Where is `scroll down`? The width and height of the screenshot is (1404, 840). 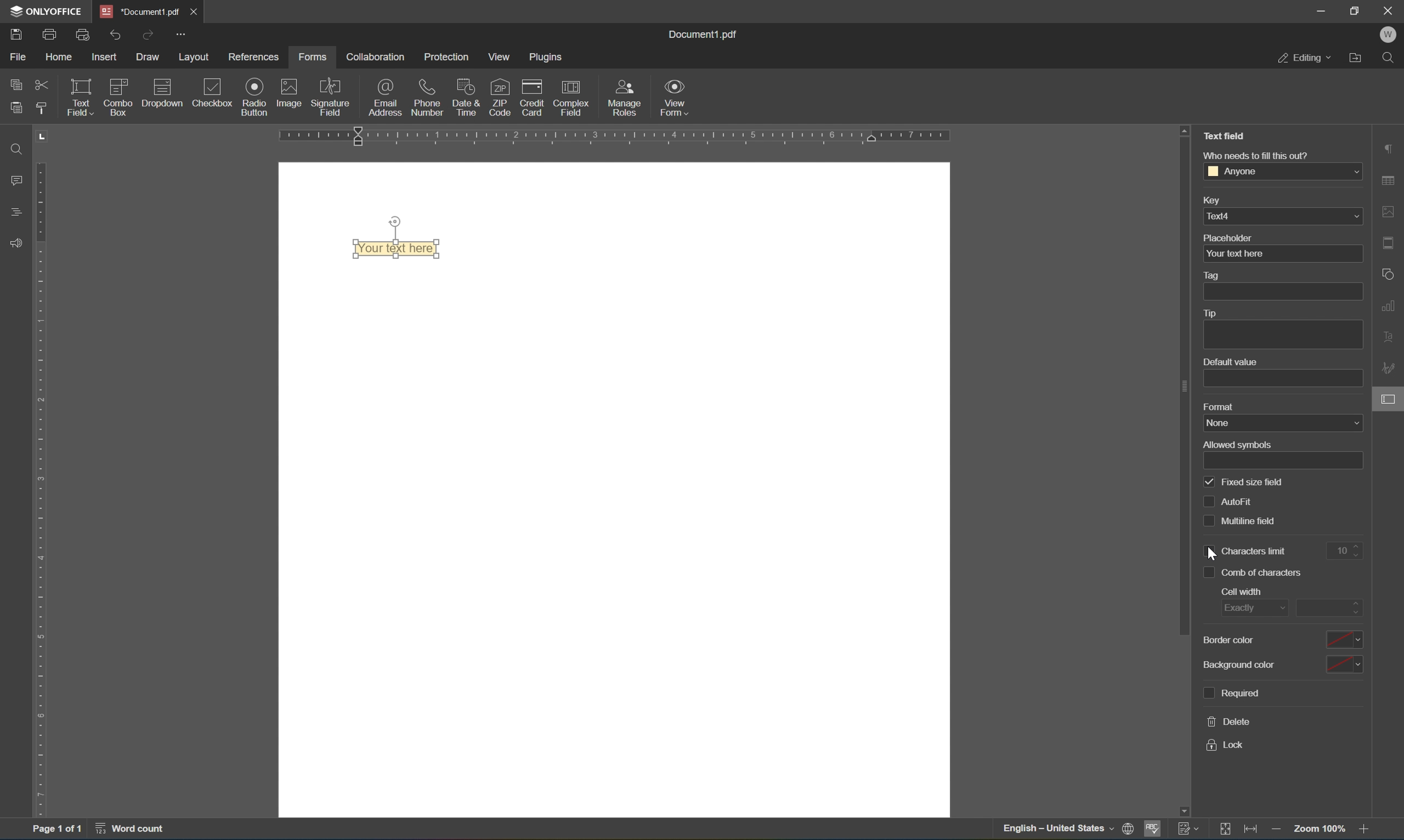 scroll down is located at coordinates (1187, 808).